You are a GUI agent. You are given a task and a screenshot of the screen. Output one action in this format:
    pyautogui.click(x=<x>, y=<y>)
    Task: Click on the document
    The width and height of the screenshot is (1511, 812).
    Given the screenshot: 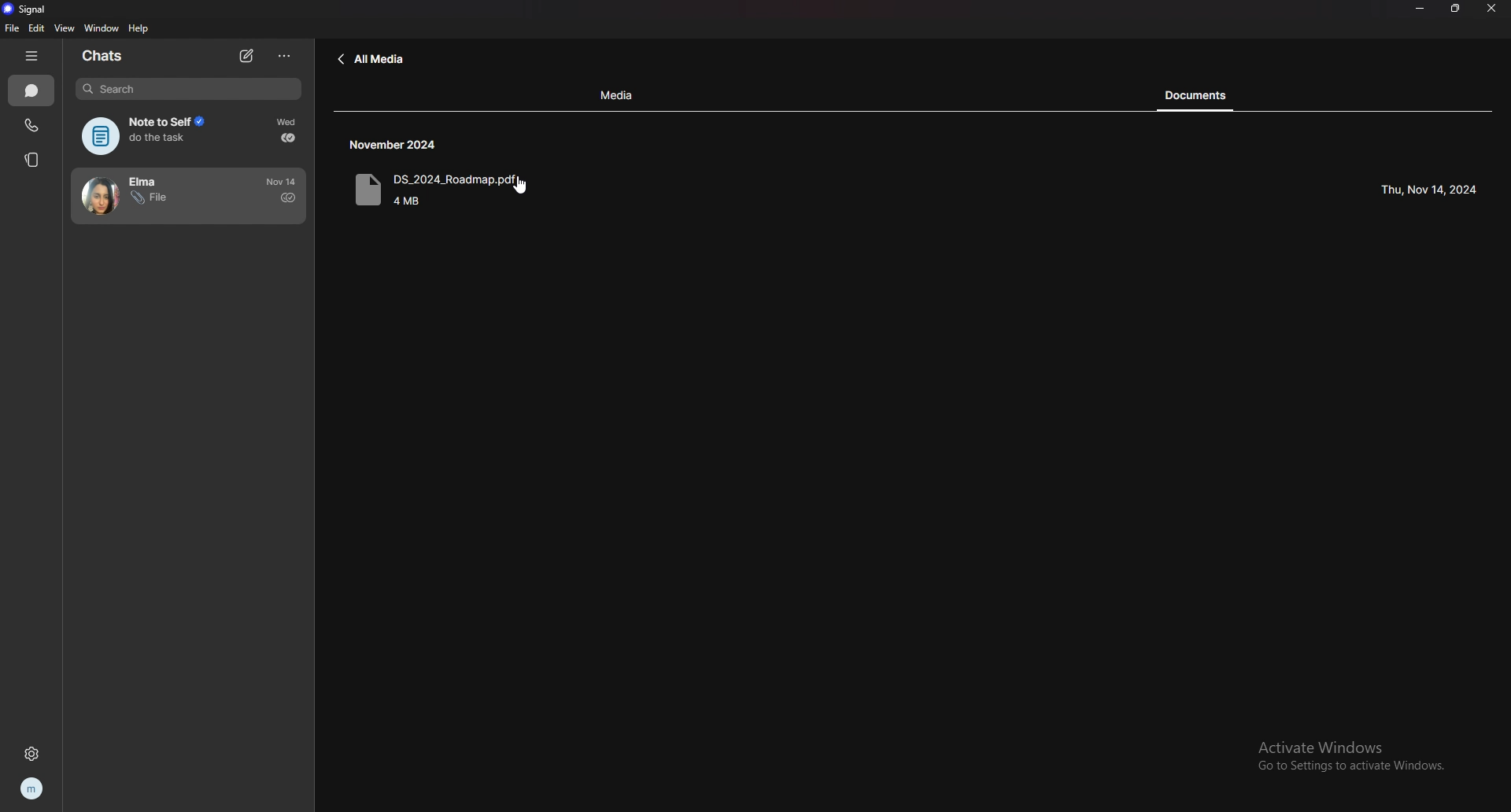 What is the action you would take?
    pyautogui.click(x=1205, y=95)
    